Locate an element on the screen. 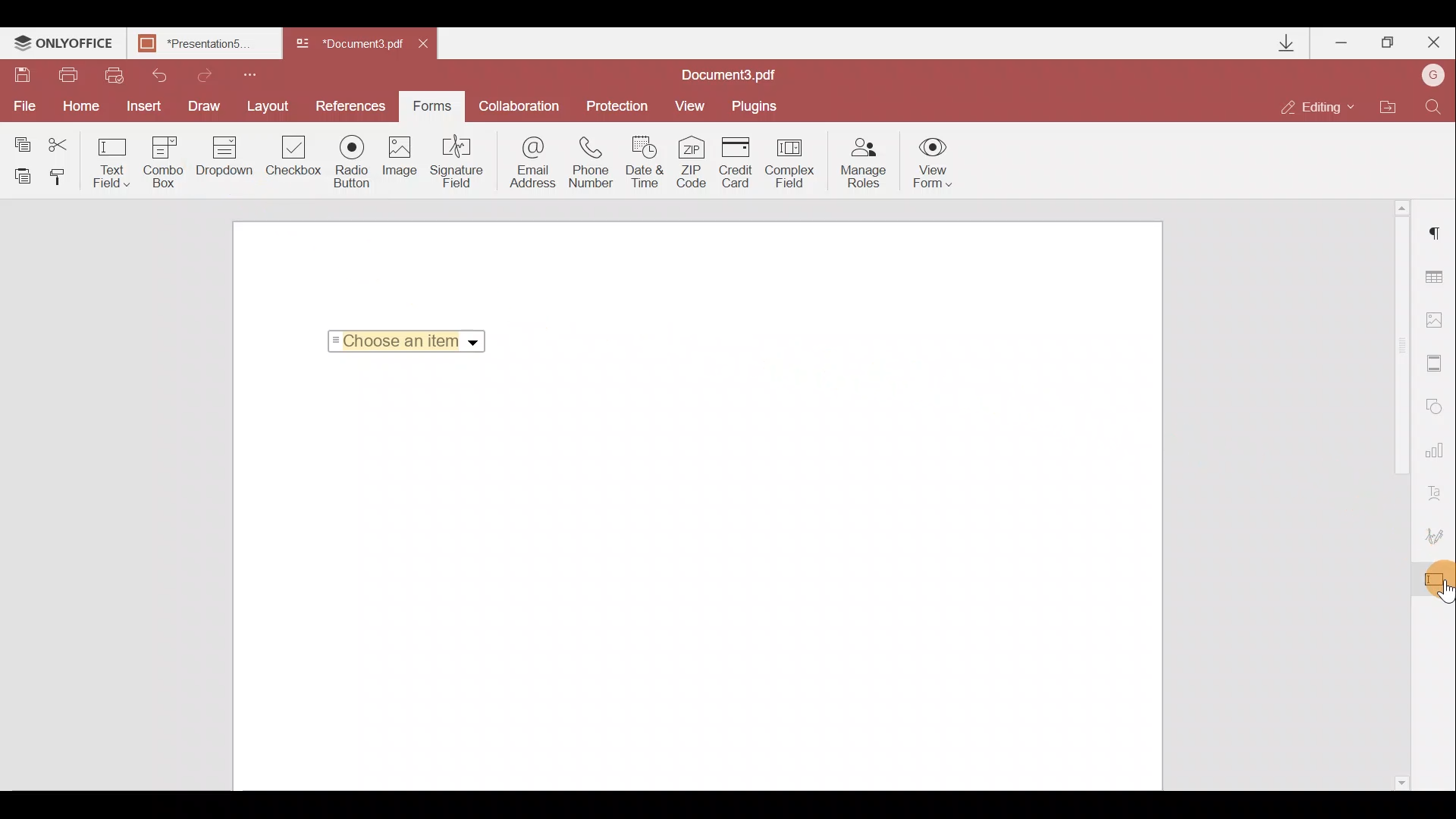 The image size is (1456, 819). Quick print is located at coordinates (115, 75).